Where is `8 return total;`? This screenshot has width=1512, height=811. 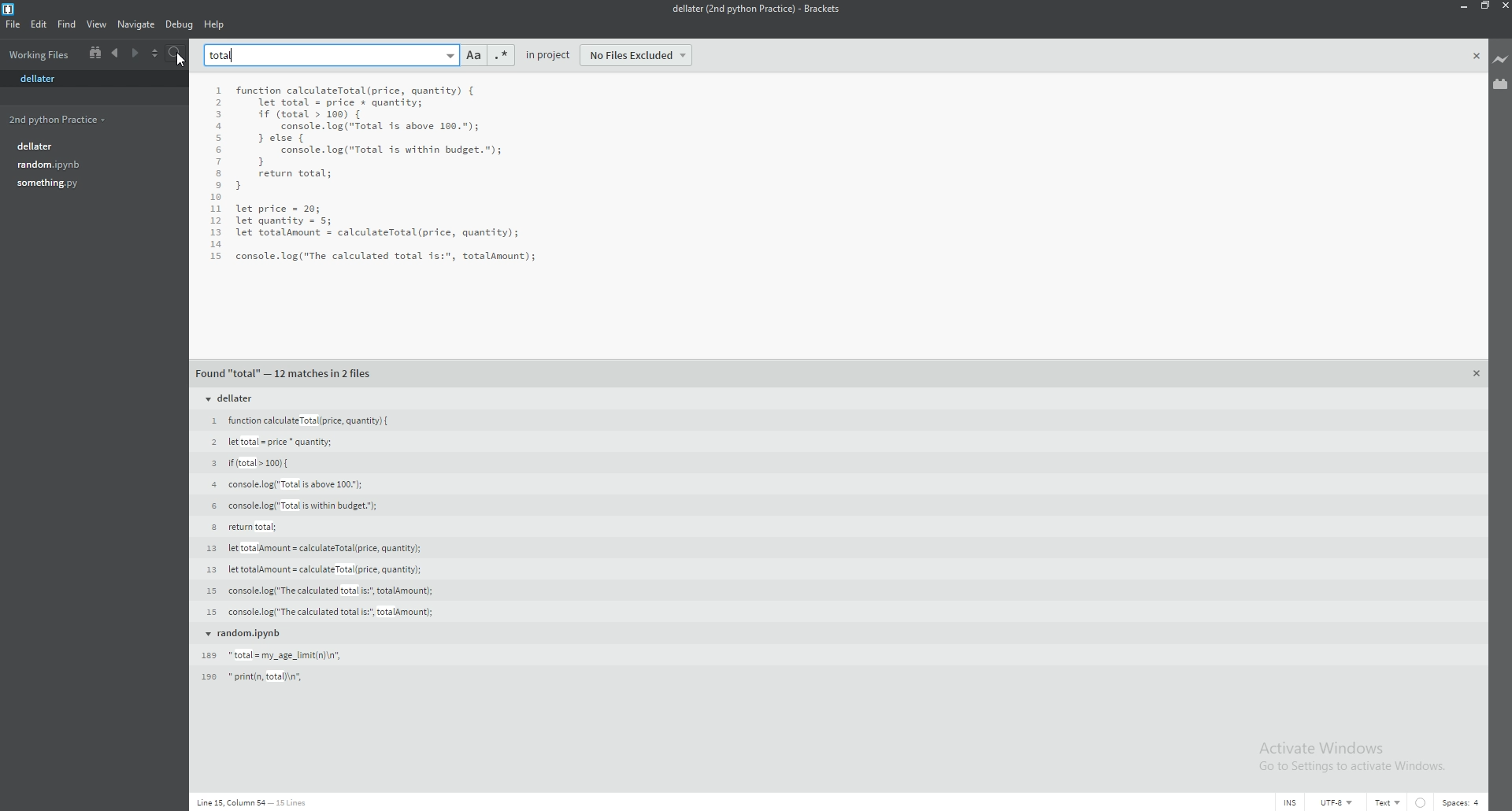
8 return total; is located at coordinates (242, 527).